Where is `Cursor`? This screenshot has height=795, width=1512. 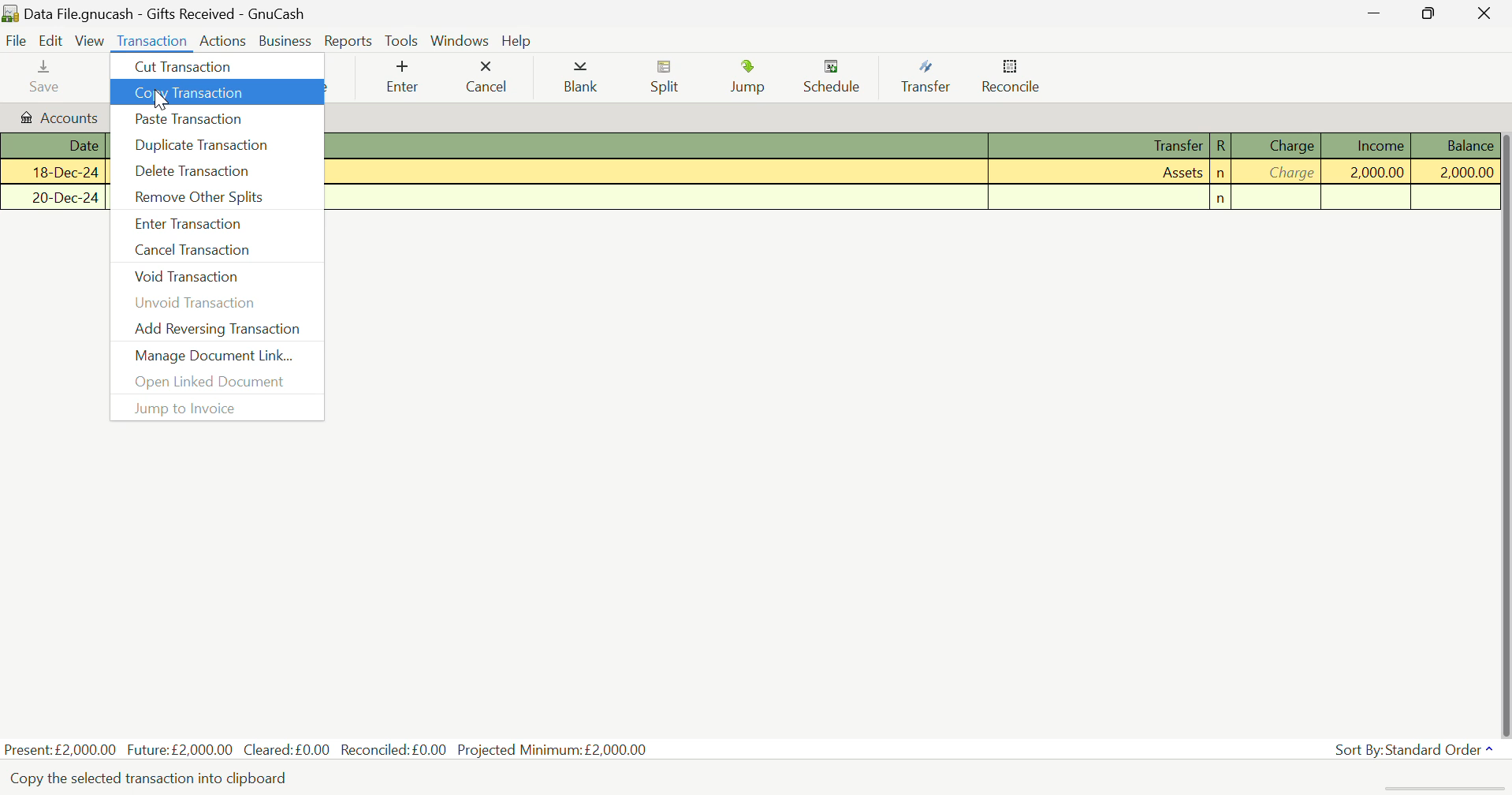
Cursor is located at coordinates (158, 99).